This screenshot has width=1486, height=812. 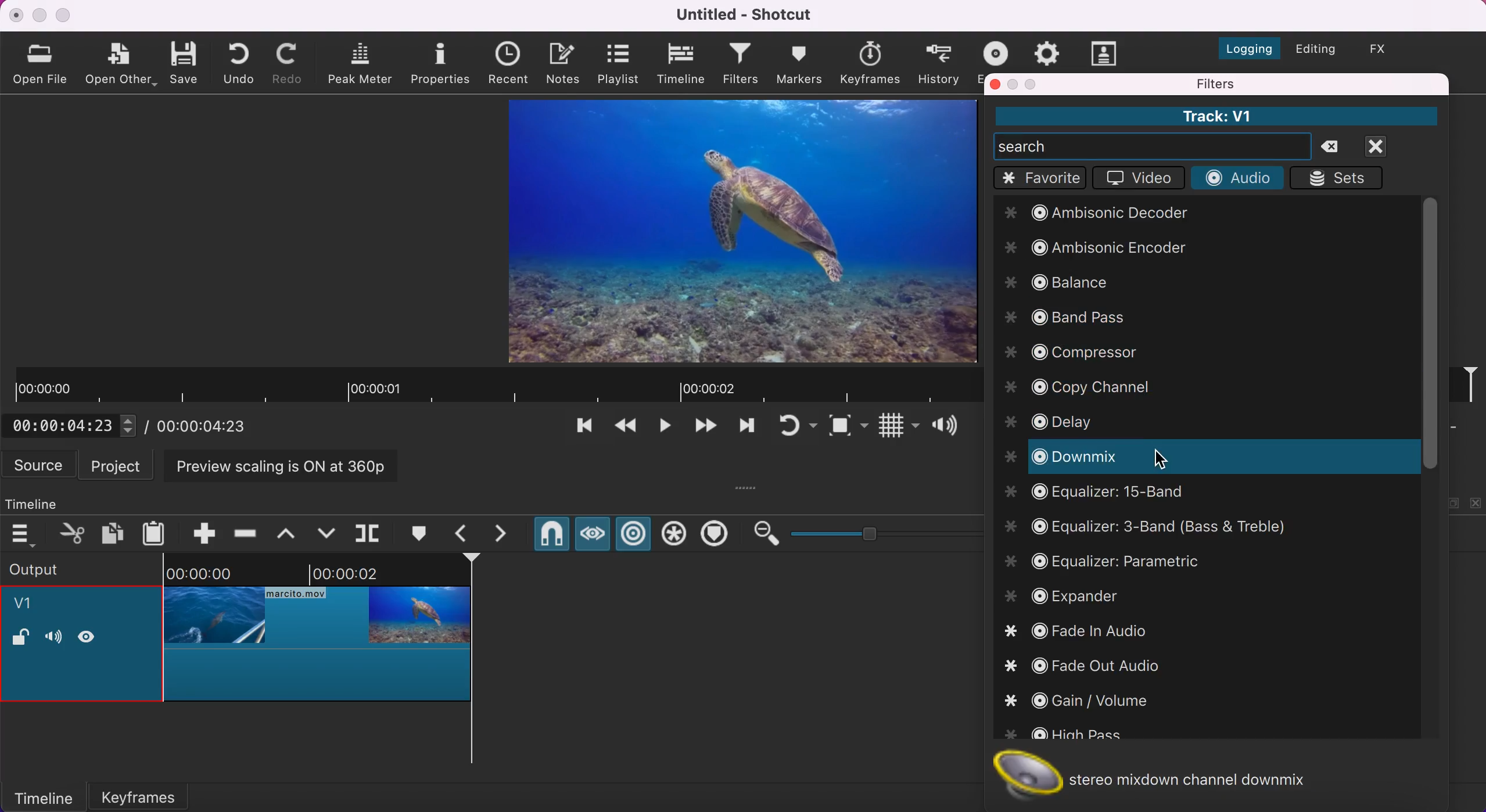 What do you see at coordinates (1078, 699) in the screenshot?
I see `gain/volume` at bounding box center [1078, 699].